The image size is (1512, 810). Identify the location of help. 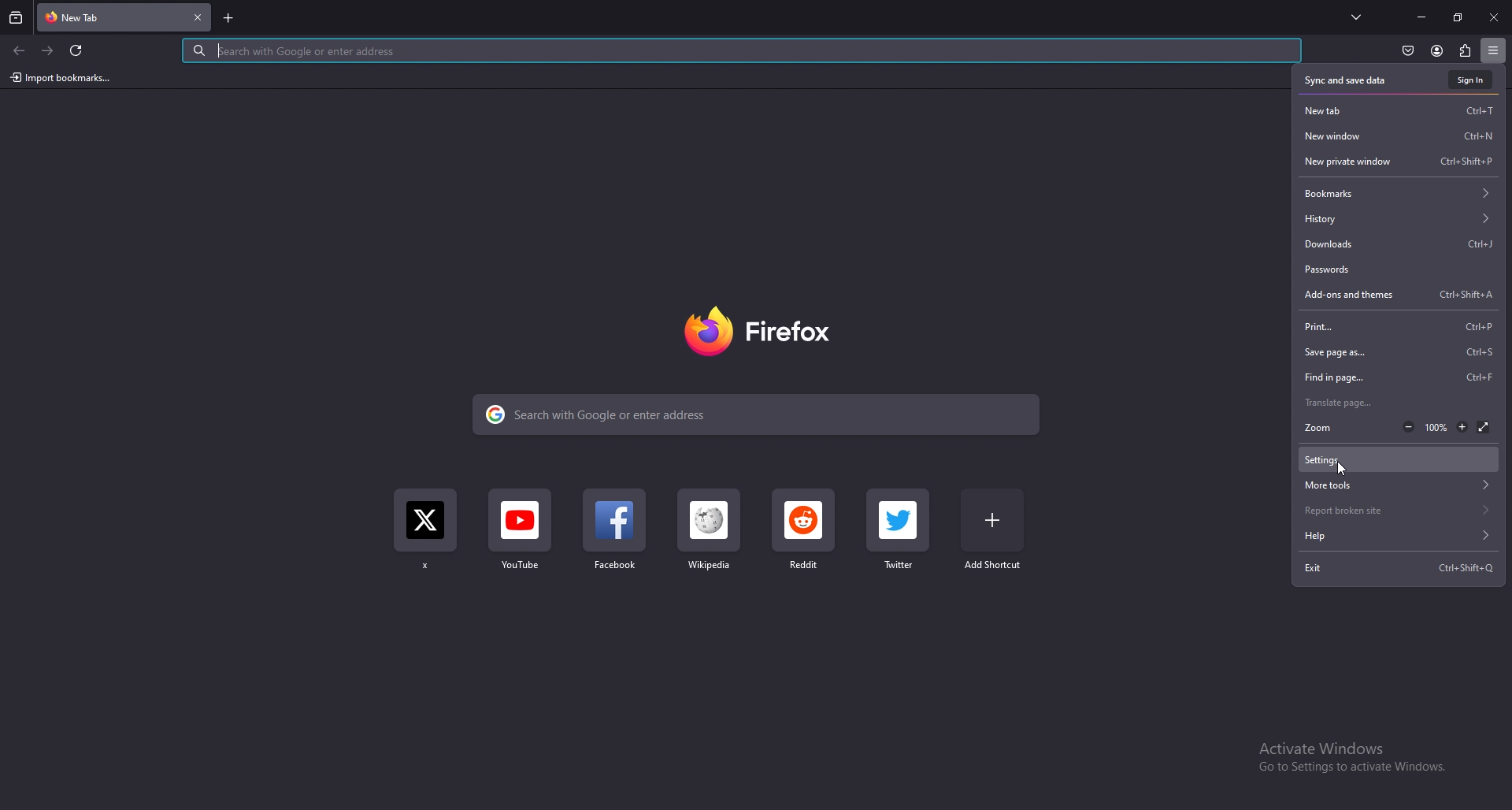
(1397, 536).